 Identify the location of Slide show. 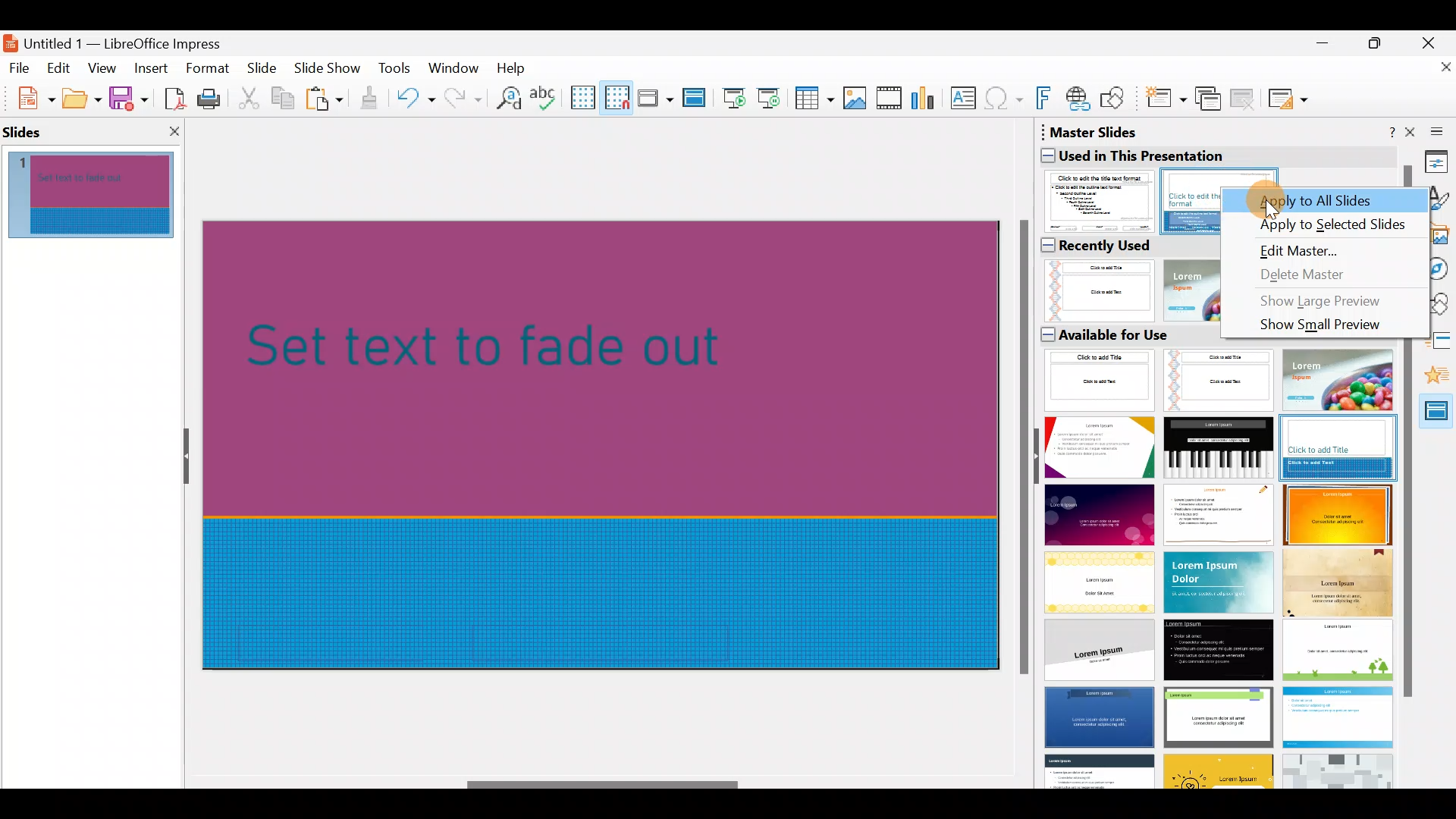
(331, 71).